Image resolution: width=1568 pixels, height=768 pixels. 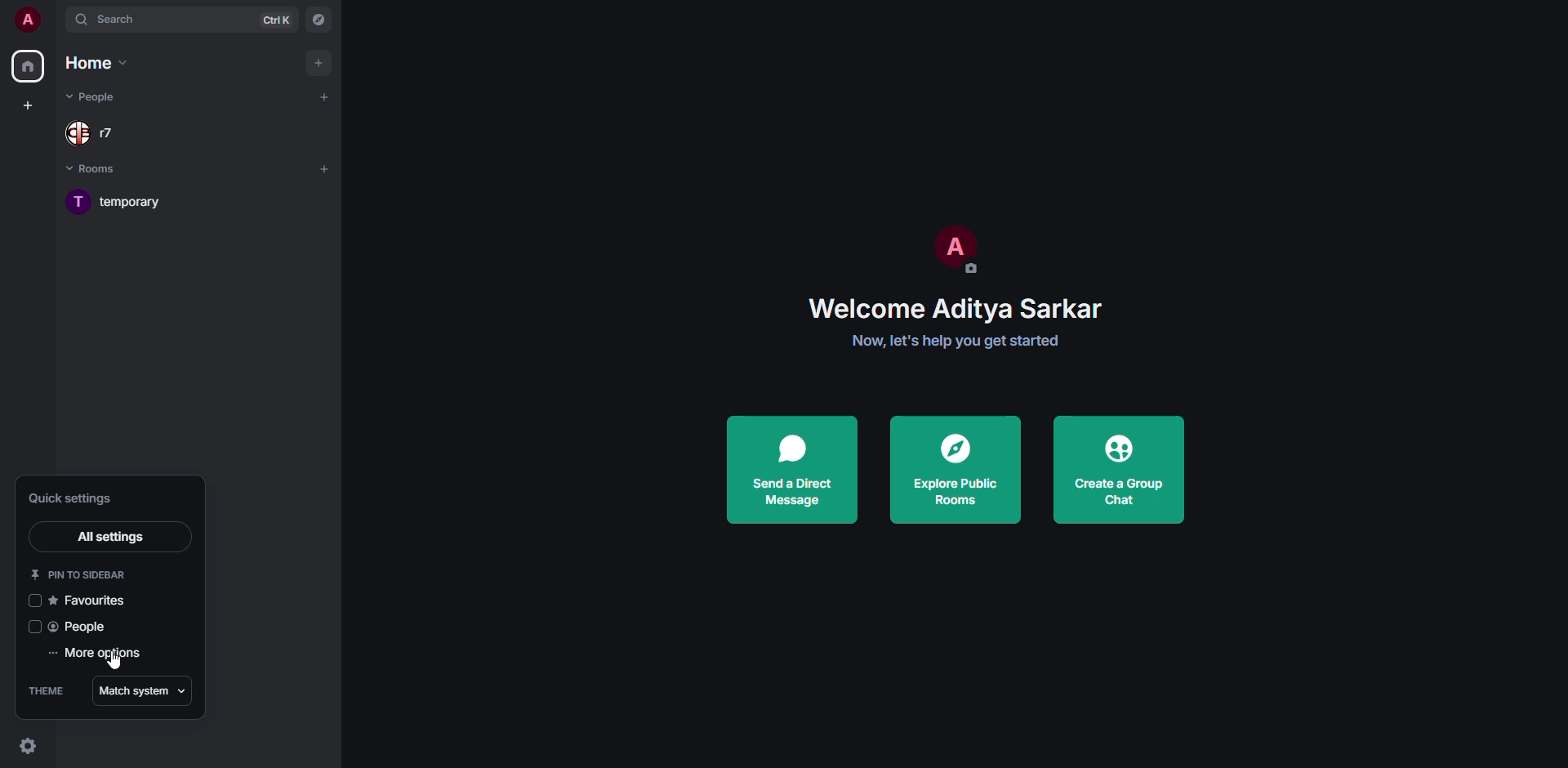 I want to click on expand, so click(x=56, y=19).